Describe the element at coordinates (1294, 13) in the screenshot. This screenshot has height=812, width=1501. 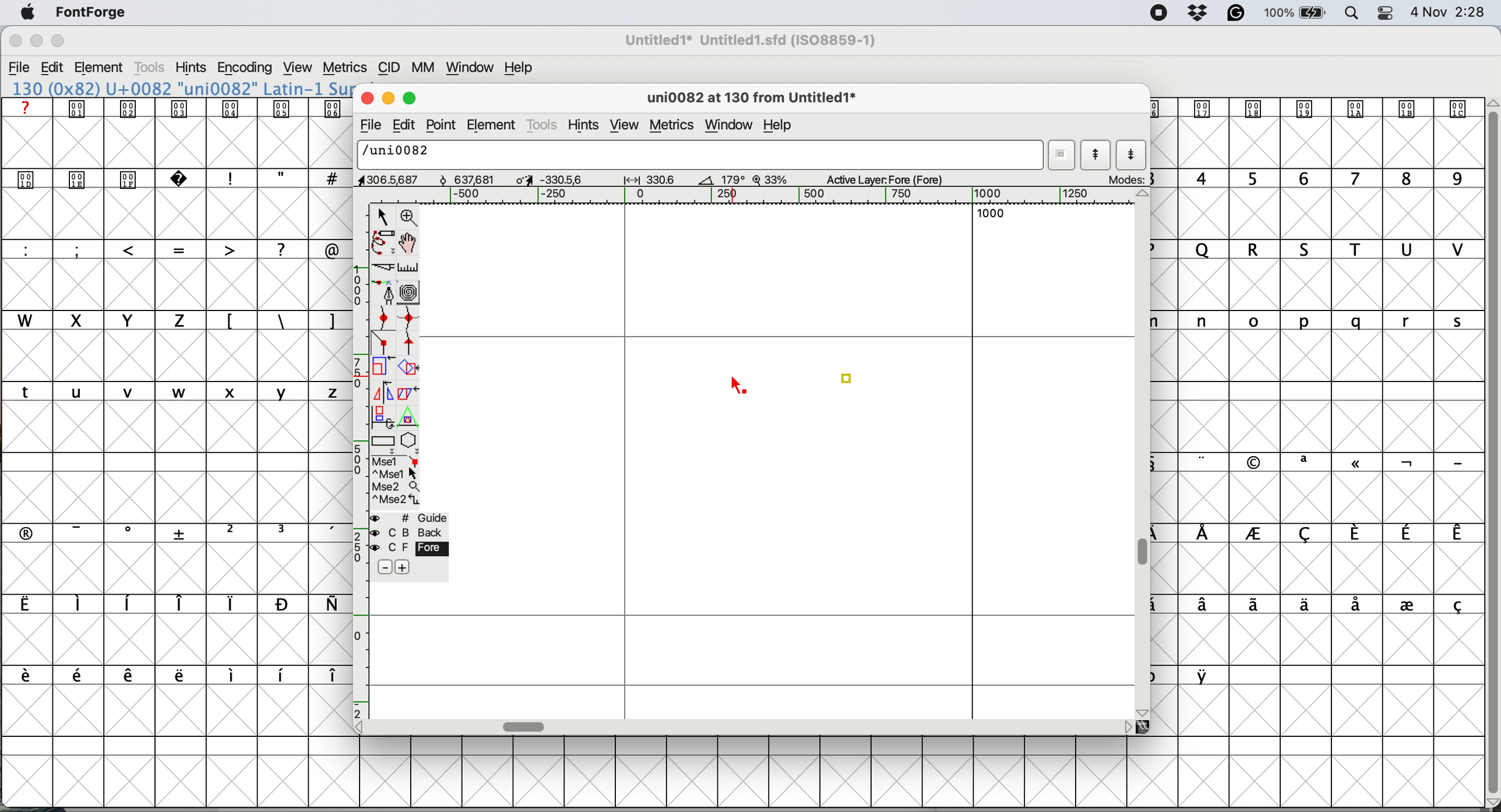
I see `battery` at that location.